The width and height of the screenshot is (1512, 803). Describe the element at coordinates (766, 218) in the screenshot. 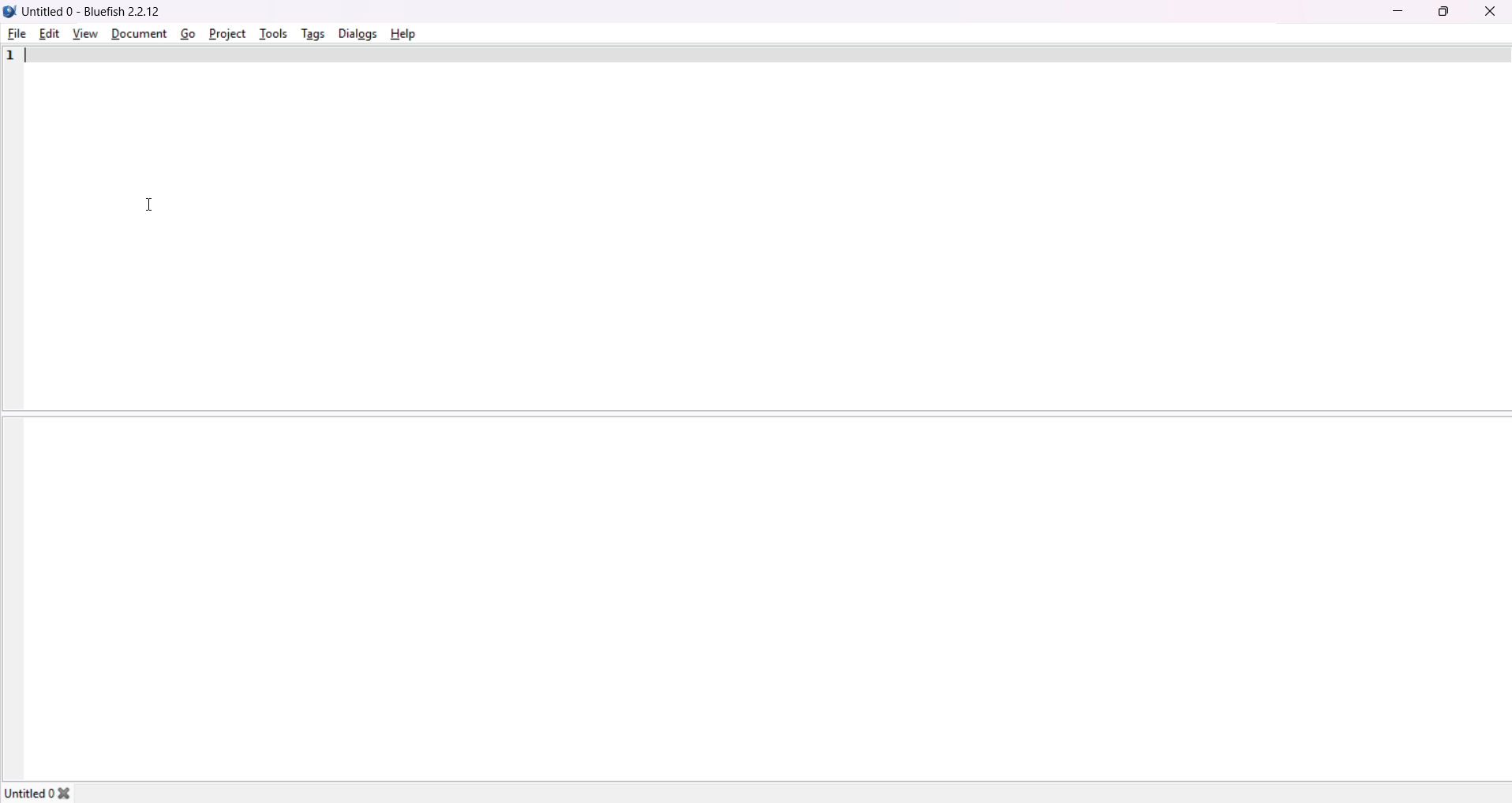

I see `Top window` at that location.